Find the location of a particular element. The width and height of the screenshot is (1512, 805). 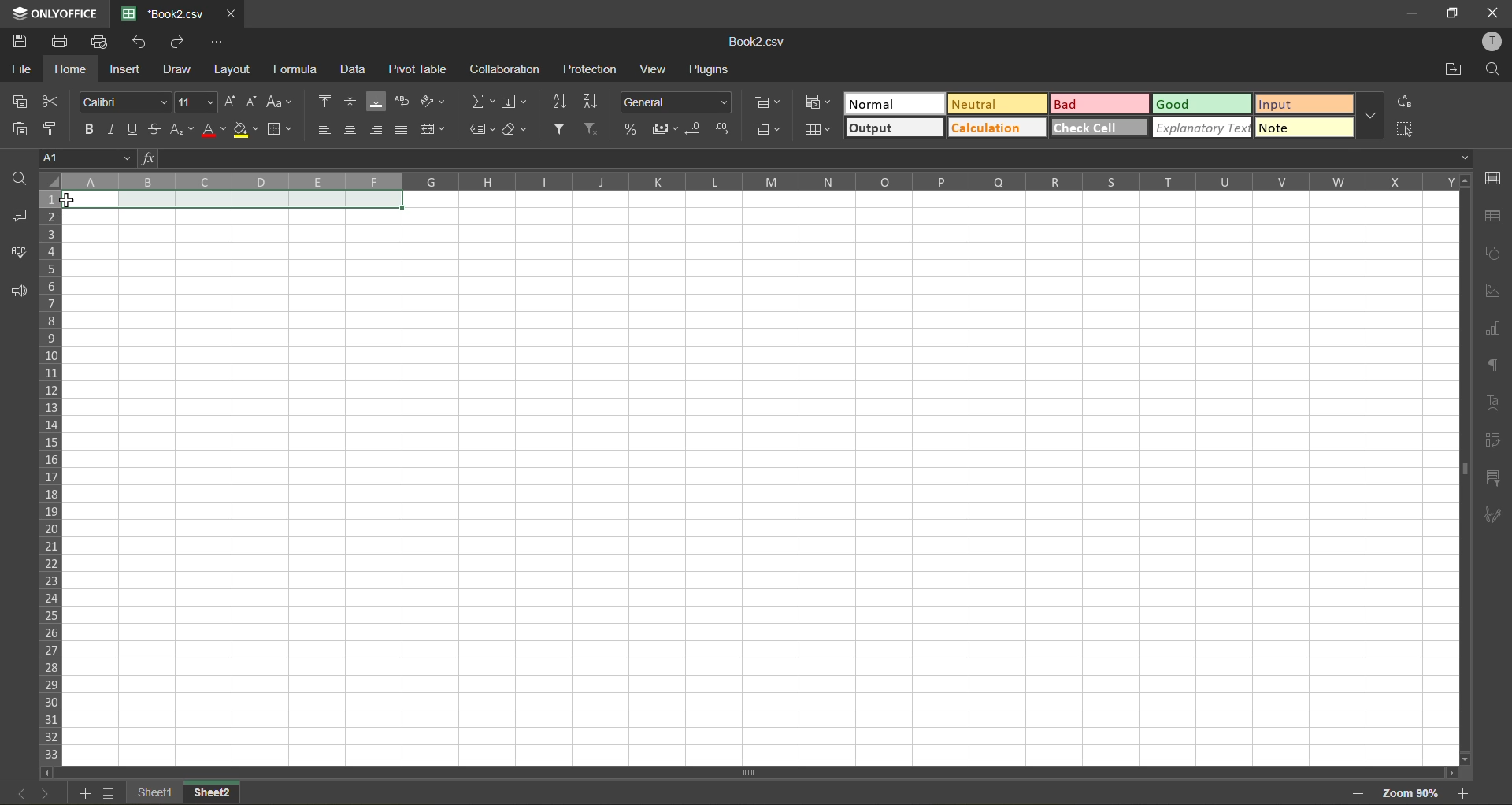

select all cells is located at coordinates (47, 182).